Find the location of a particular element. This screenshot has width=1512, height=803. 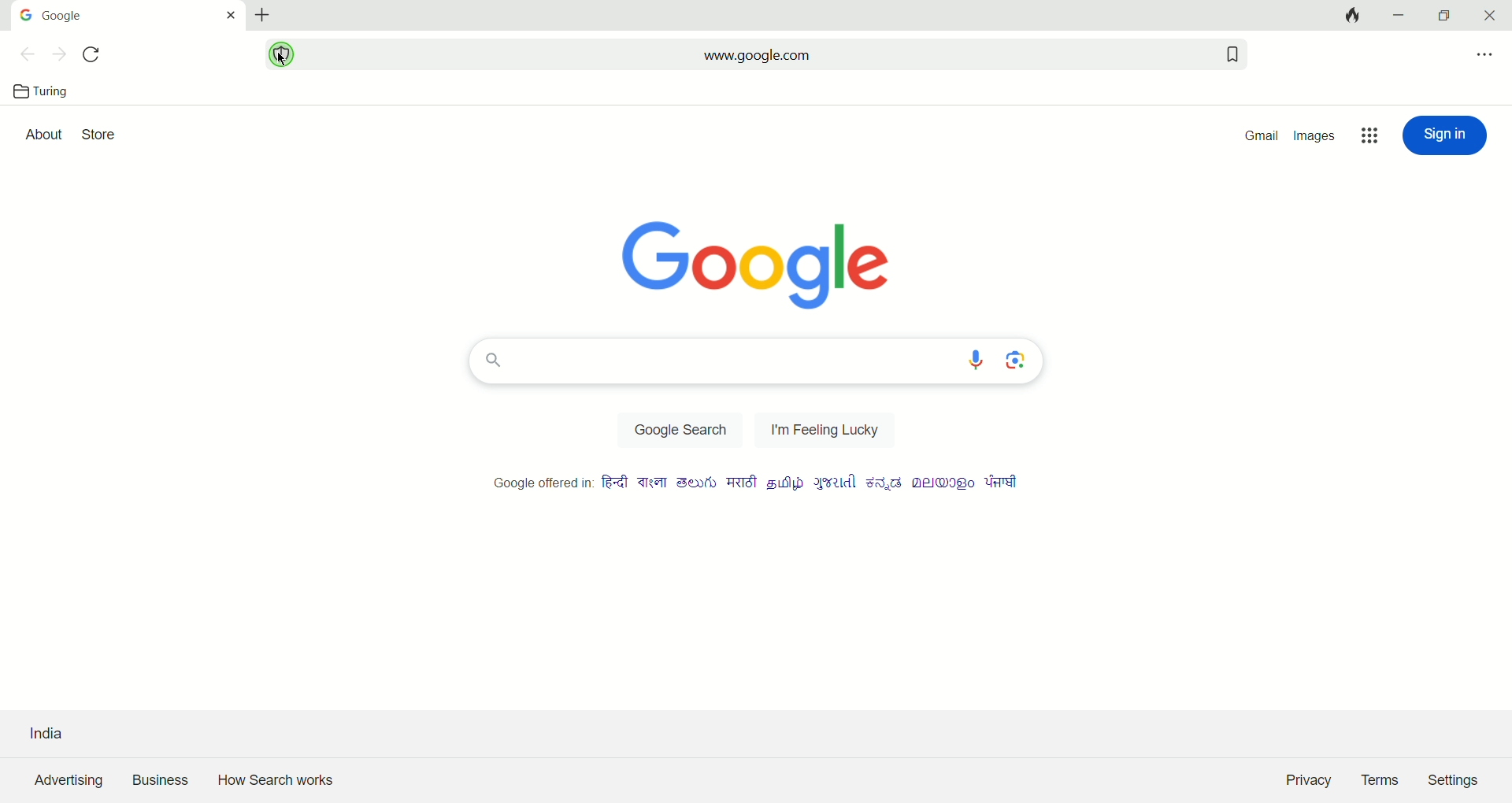

images is located at coordinates (1317, 136).